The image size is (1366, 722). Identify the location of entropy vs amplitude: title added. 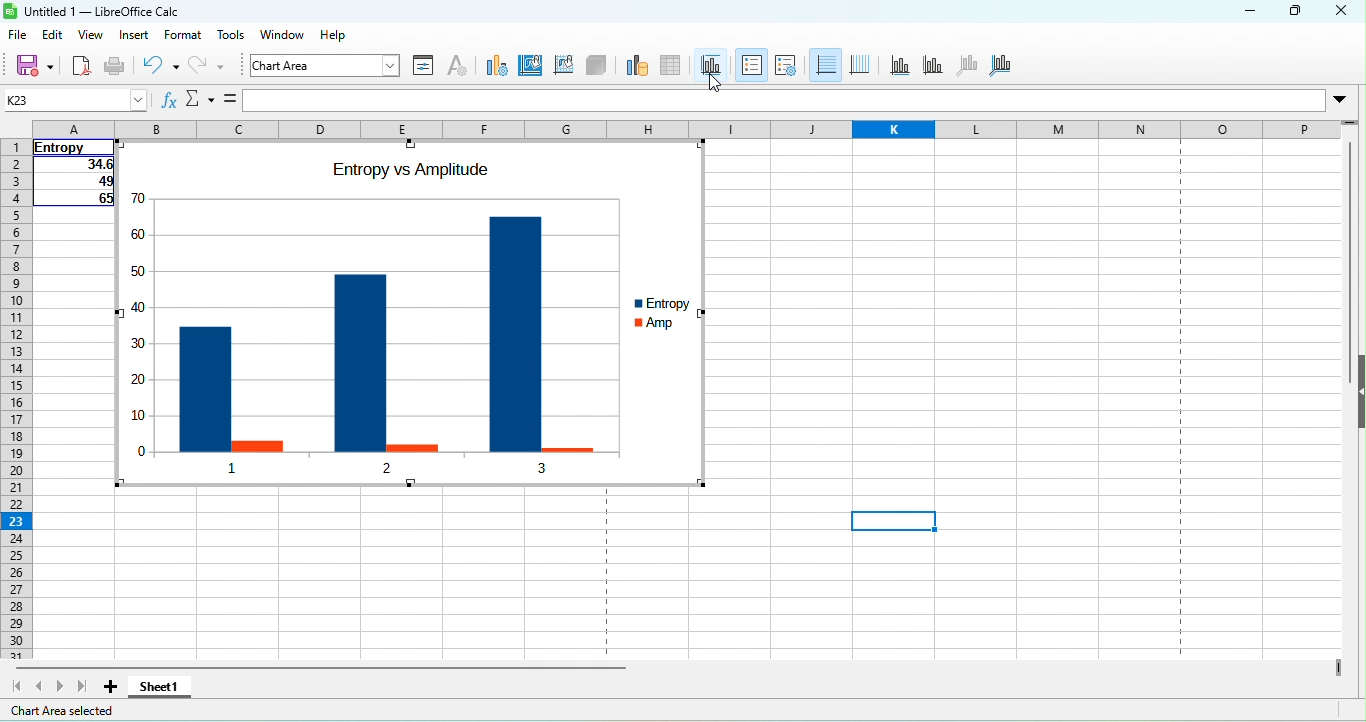
(409, 171).